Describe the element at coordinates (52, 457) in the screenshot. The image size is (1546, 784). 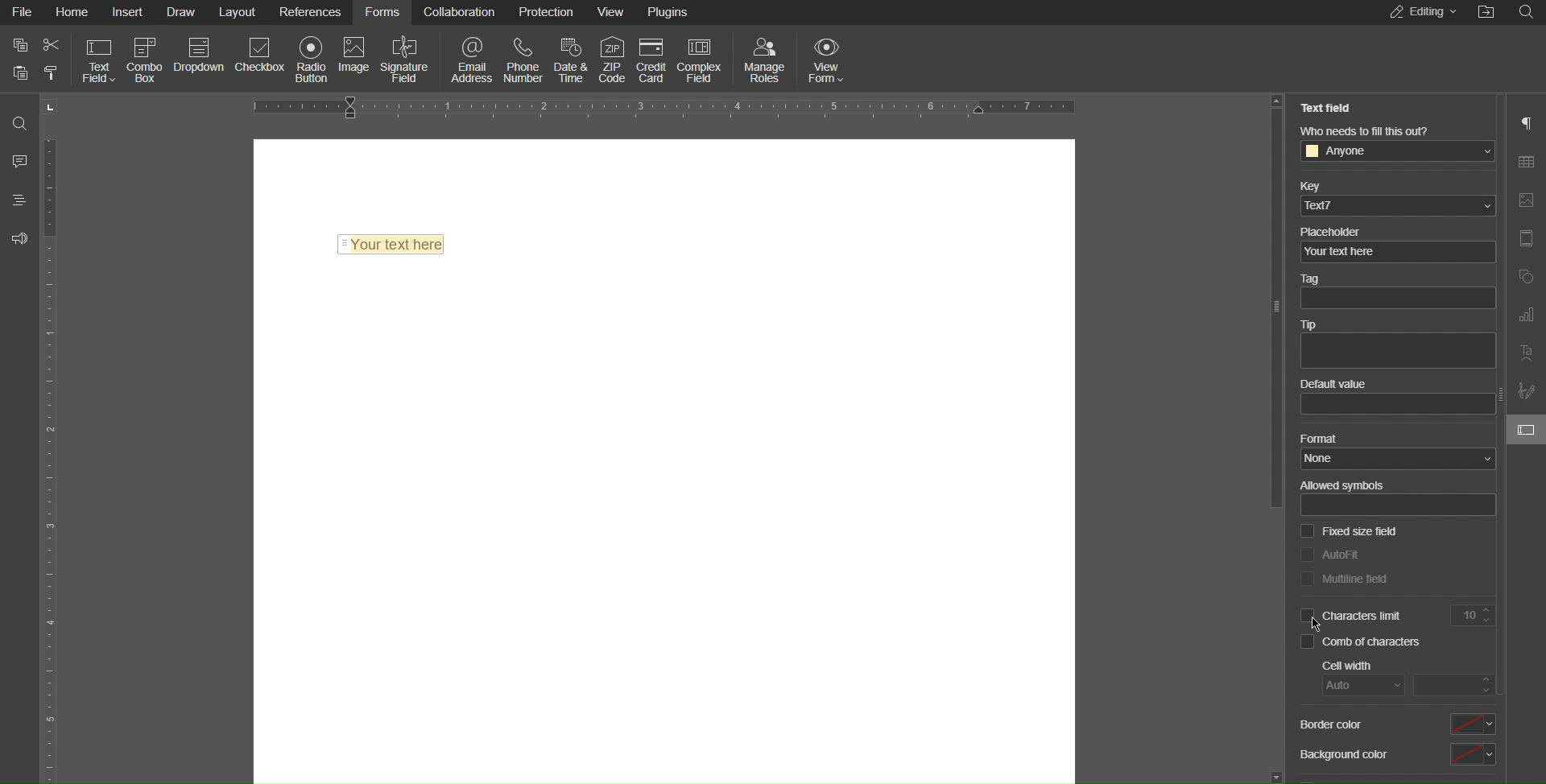
I see `Vertical Ruler` at that location.